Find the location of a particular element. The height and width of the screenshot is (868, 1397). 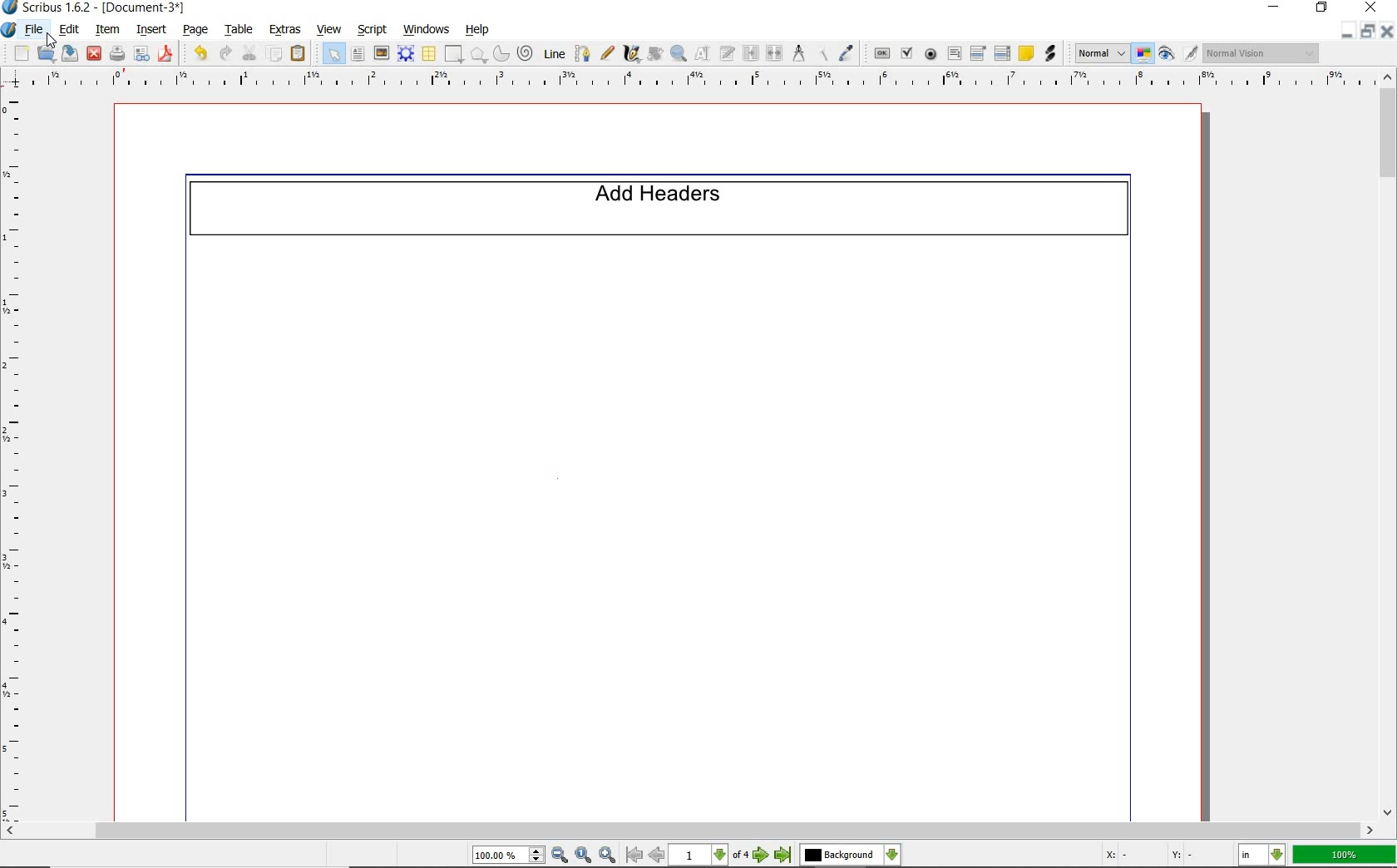

copy item properties is located at coordinates (821, 52).